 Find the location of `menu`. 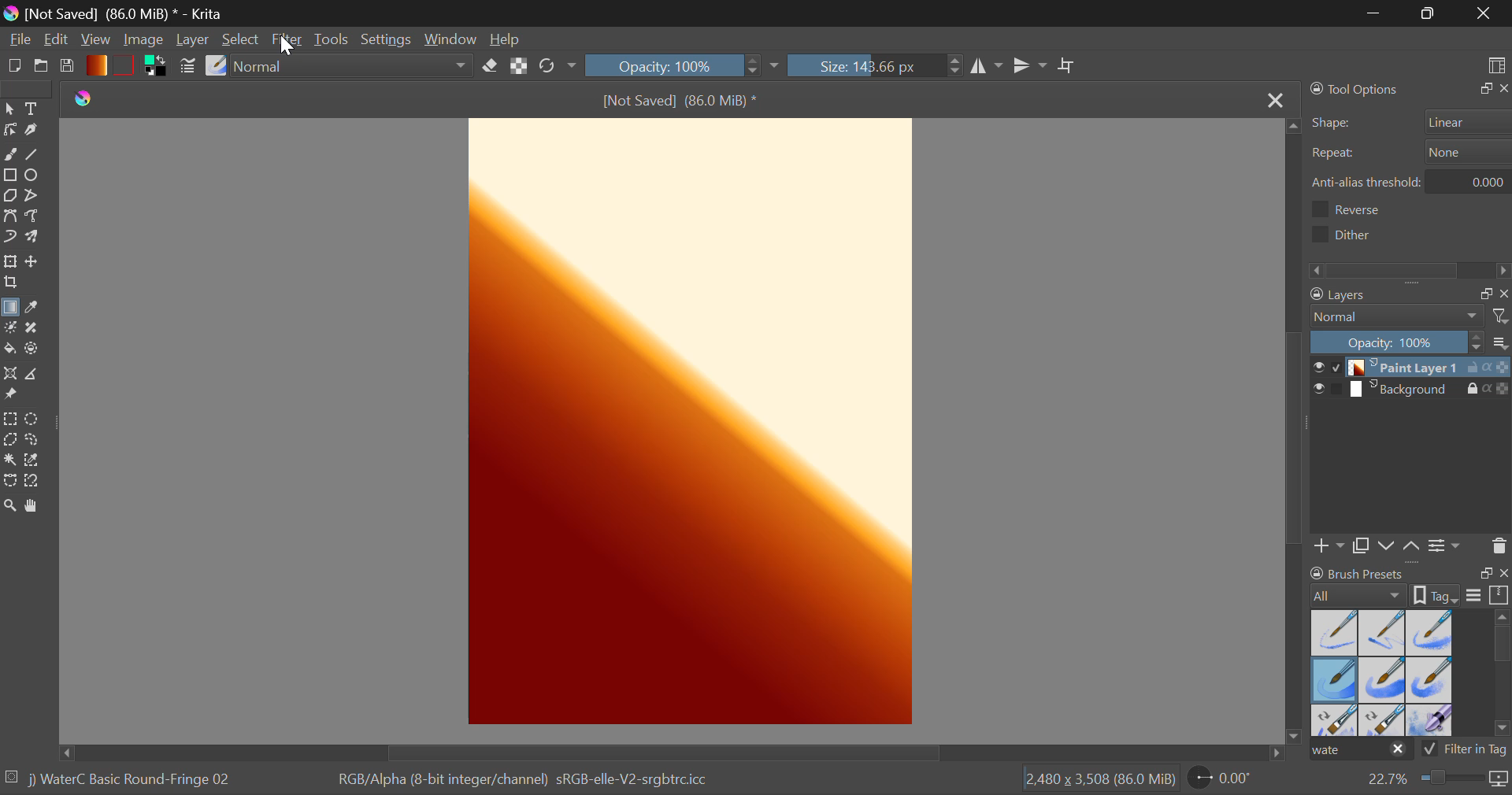

menu is located at coordinates (1474, 597).